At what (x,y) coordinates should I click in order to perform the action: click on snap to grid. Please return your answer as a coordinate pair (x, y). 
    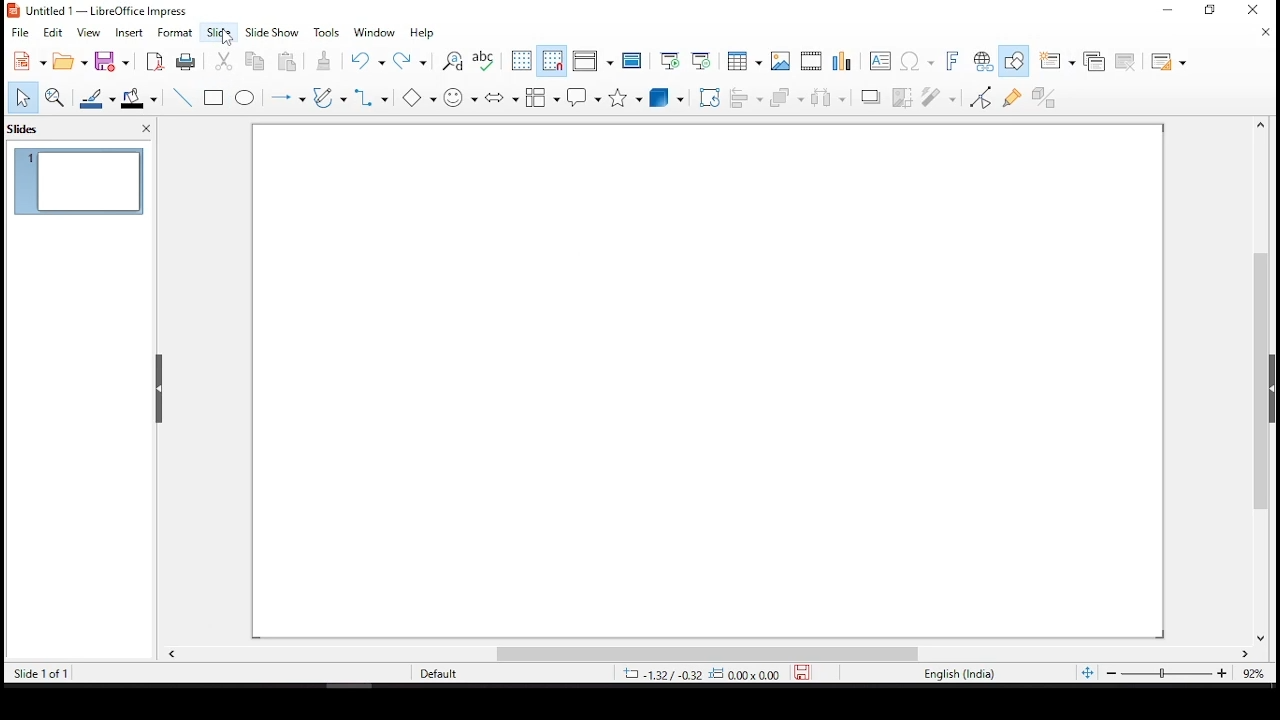
    Looking at the image, I should click on (551, 60).